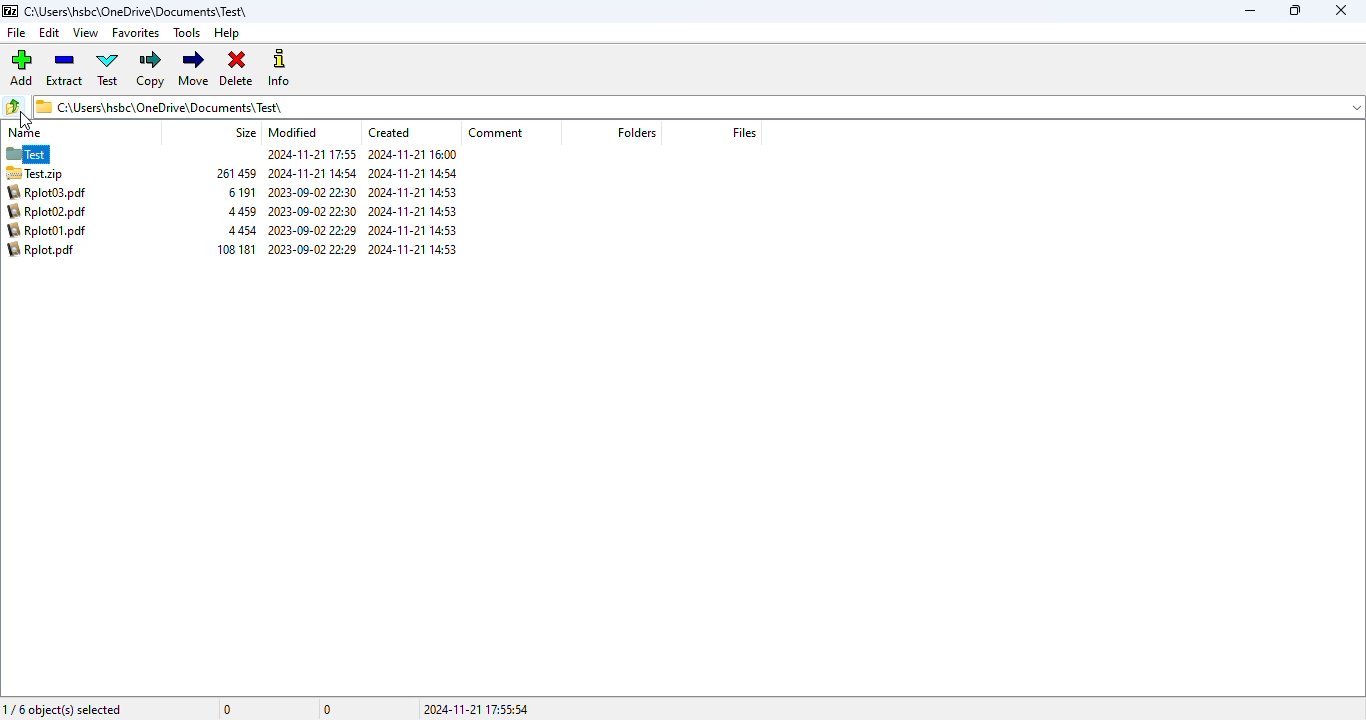  I want to click on 4 459, so click(241, 212).